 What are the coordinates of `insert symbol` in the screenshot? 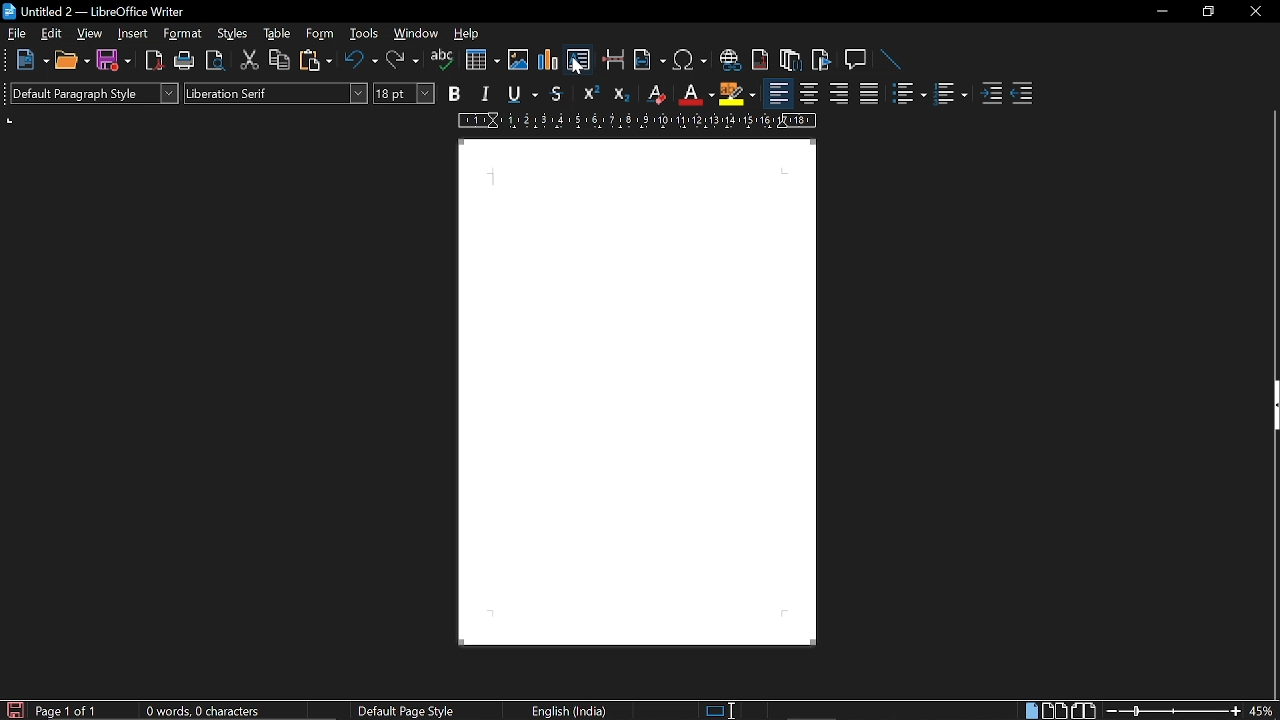 It's located at (690, 63).